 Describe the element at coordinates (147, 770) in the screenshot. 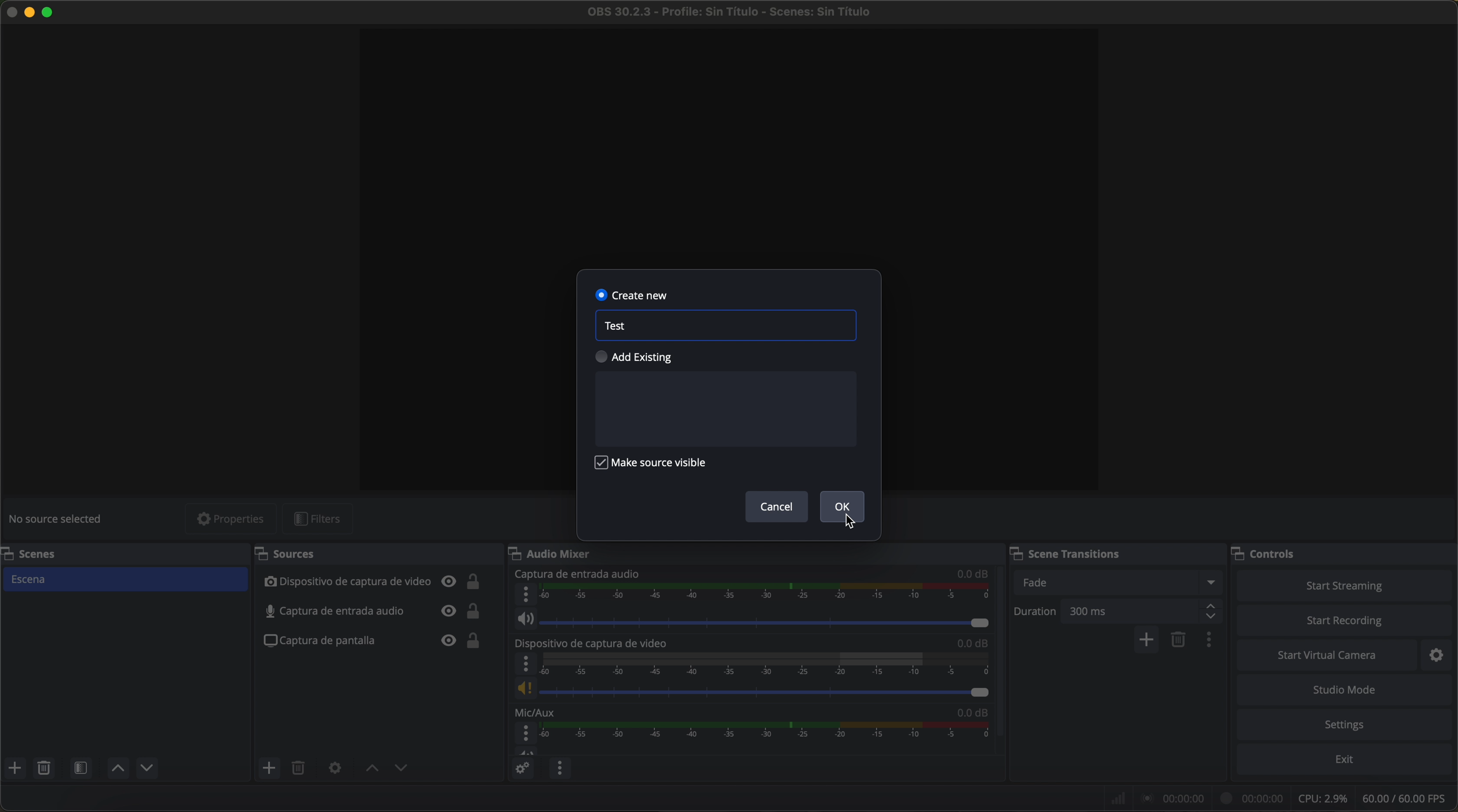

I see `move scene down` at that location.